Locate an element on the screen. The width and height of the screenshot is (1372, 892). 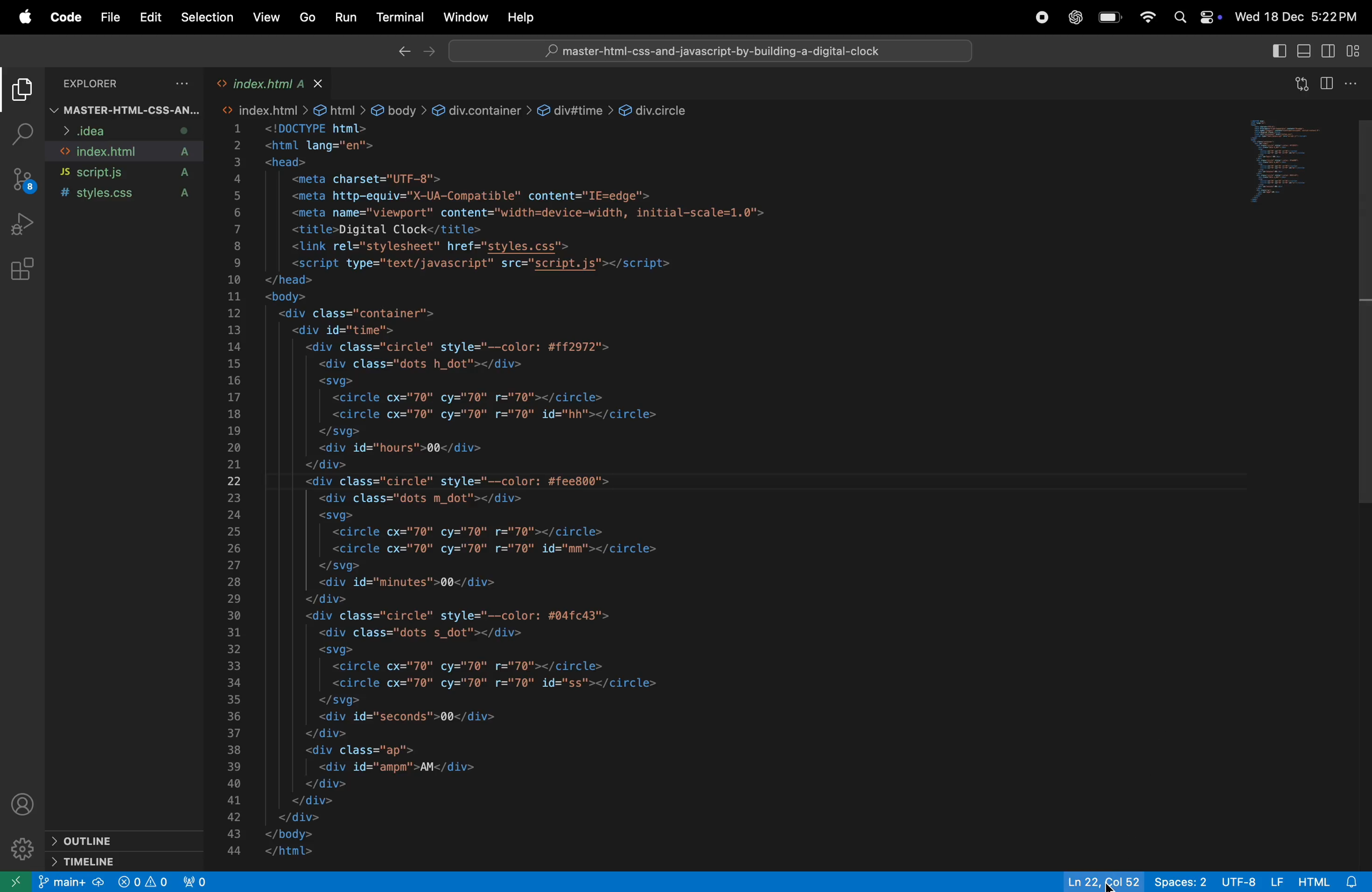
line number is located at coordinates (232, 488).